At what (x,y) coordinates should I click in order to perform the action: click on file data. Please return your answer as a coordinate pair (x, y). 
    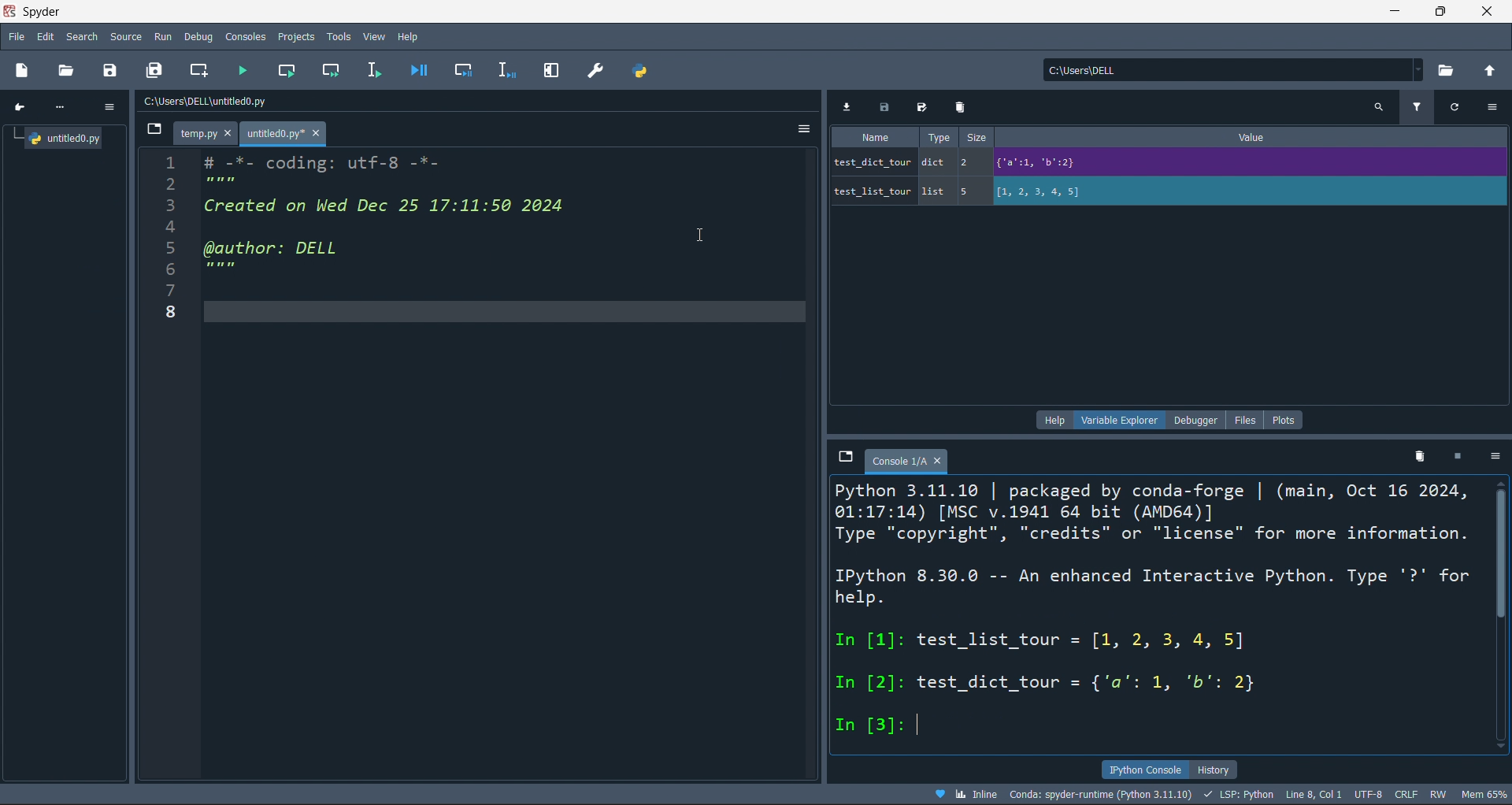
    Looking at the image, I should click on (758, 794).